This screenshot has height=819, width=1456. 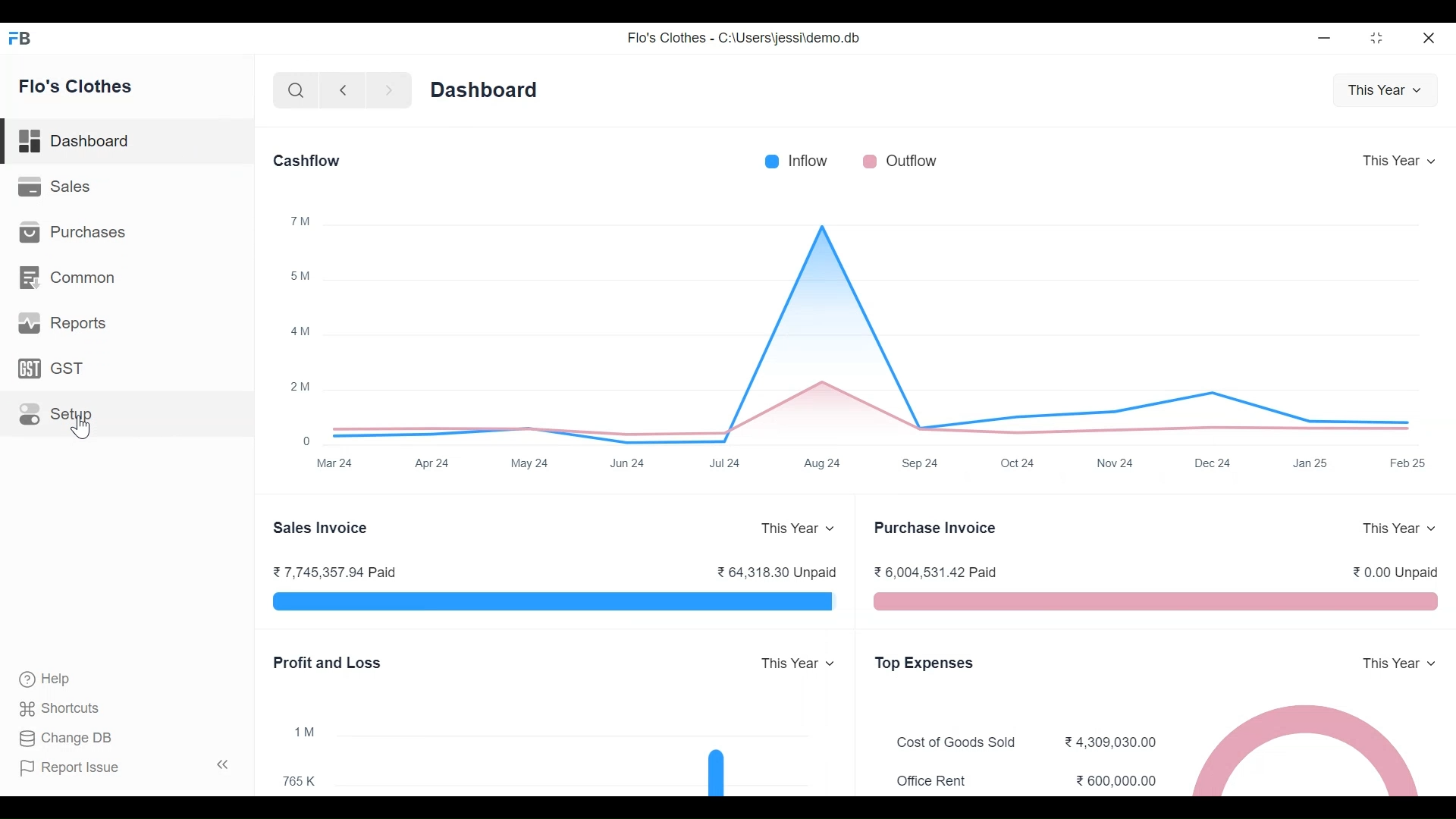 What do you see at coordinates (937, 572) in the screenshot?
I see `₹ 6,004,531.42 Paid` at bounding box center [937, 572].